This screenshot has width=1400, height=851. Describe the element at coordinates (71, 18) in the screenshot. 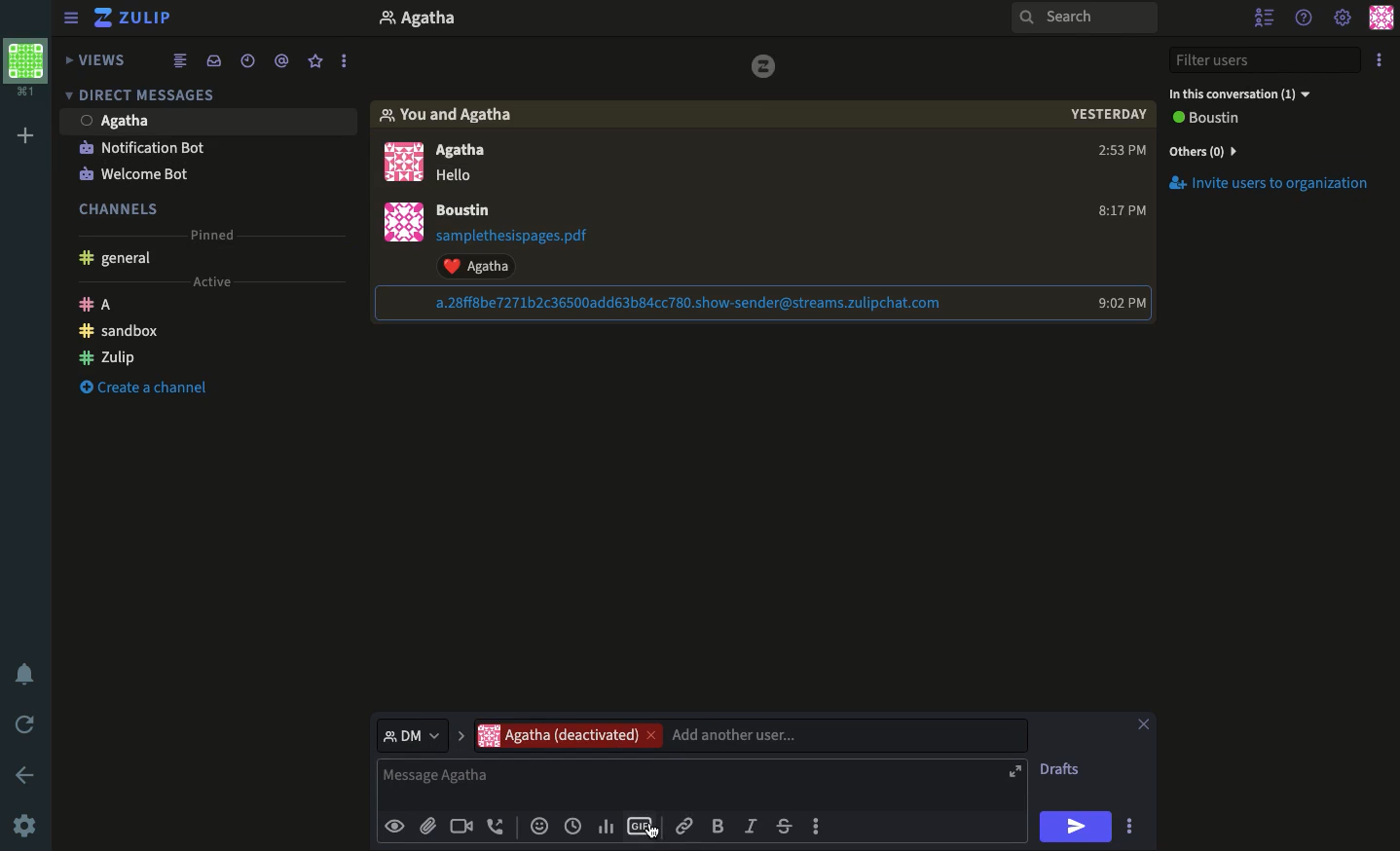

I see `Hide menu` at that location.